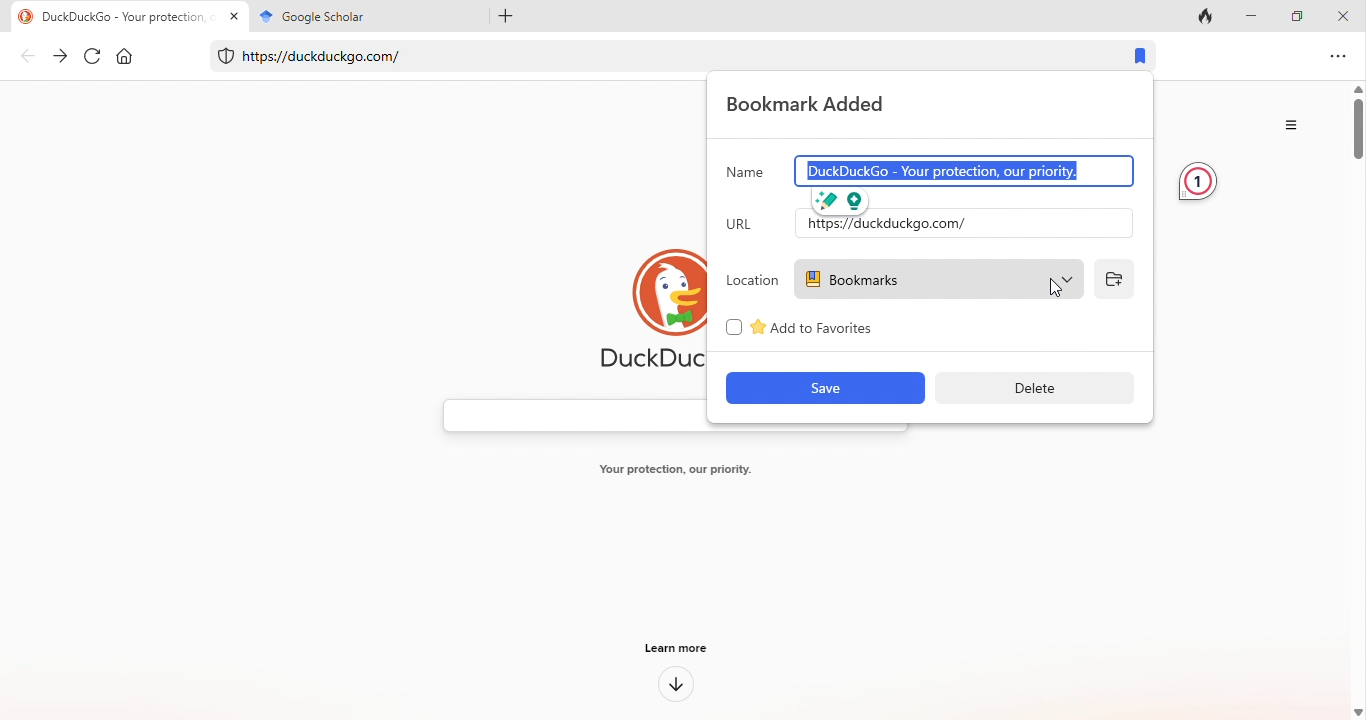 This screenshot has height=720, width=1366. Describe the element at coordinates (817, 105) in the screenshot. I see `bookmark added` at that location.